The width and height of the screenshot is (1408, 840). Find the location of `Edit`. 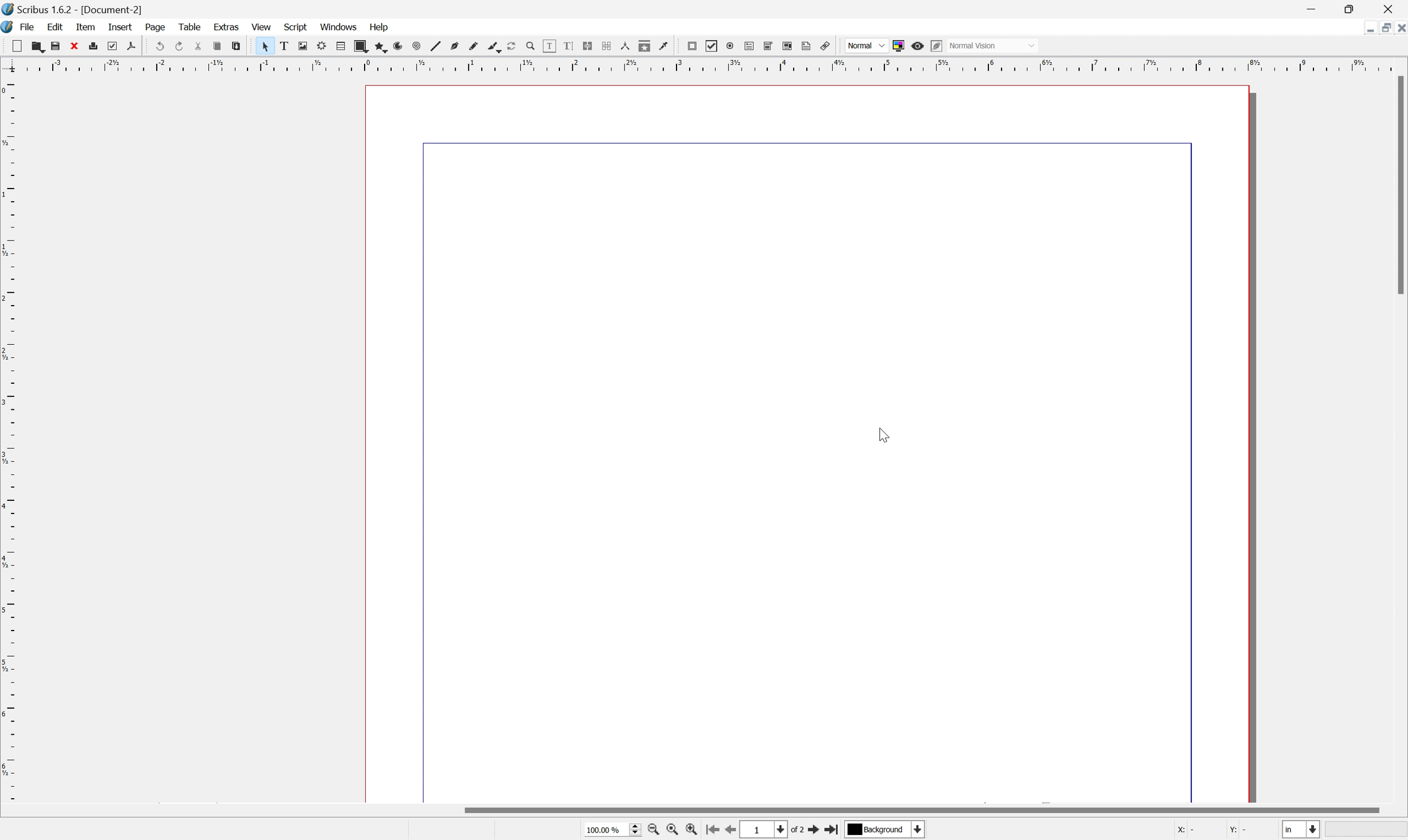

Edit is located at coordinates (55, 28).